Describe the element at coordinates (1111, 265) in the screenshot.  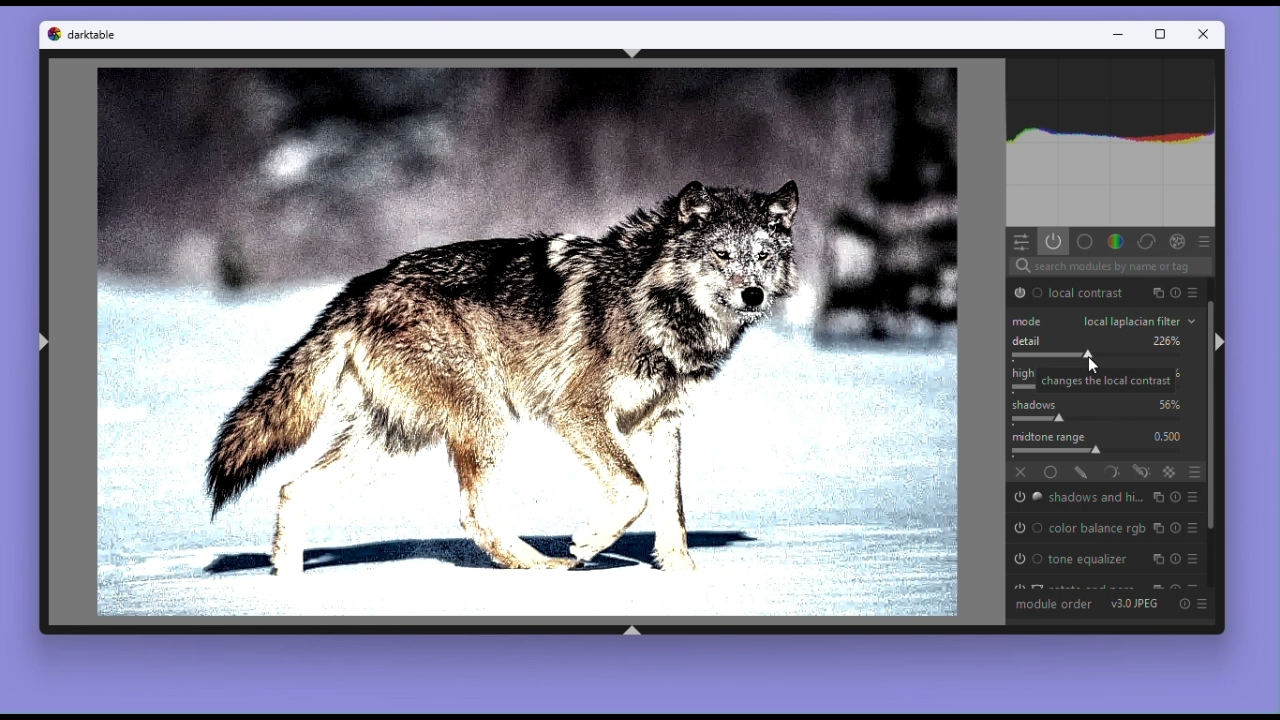
I see `search modules by name or tage` at that location.